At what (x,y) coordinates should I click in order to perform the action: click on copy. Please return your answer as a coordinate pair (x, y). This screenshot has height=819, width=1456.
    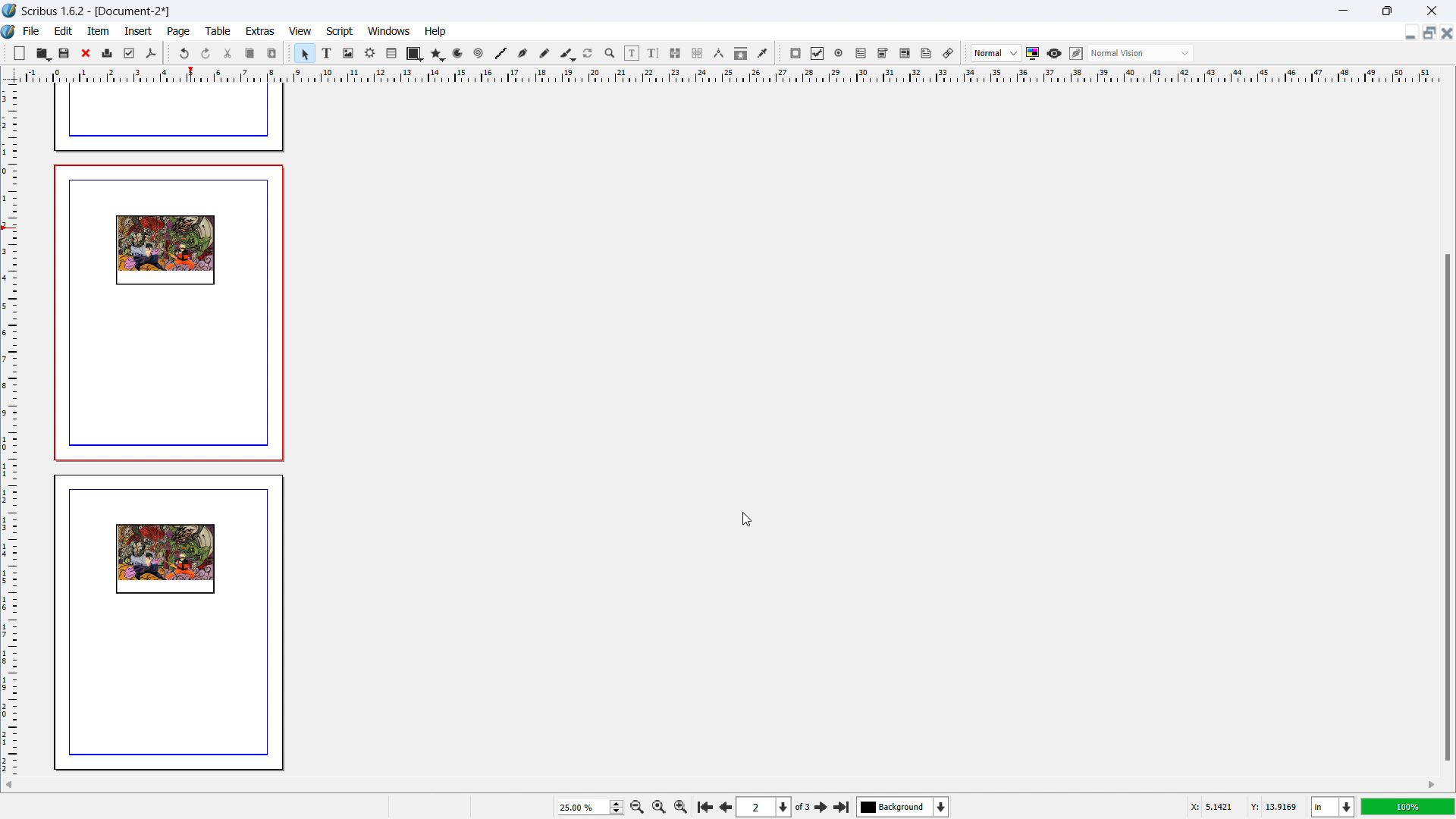
    Looking at the image, I should click on (251, 53).